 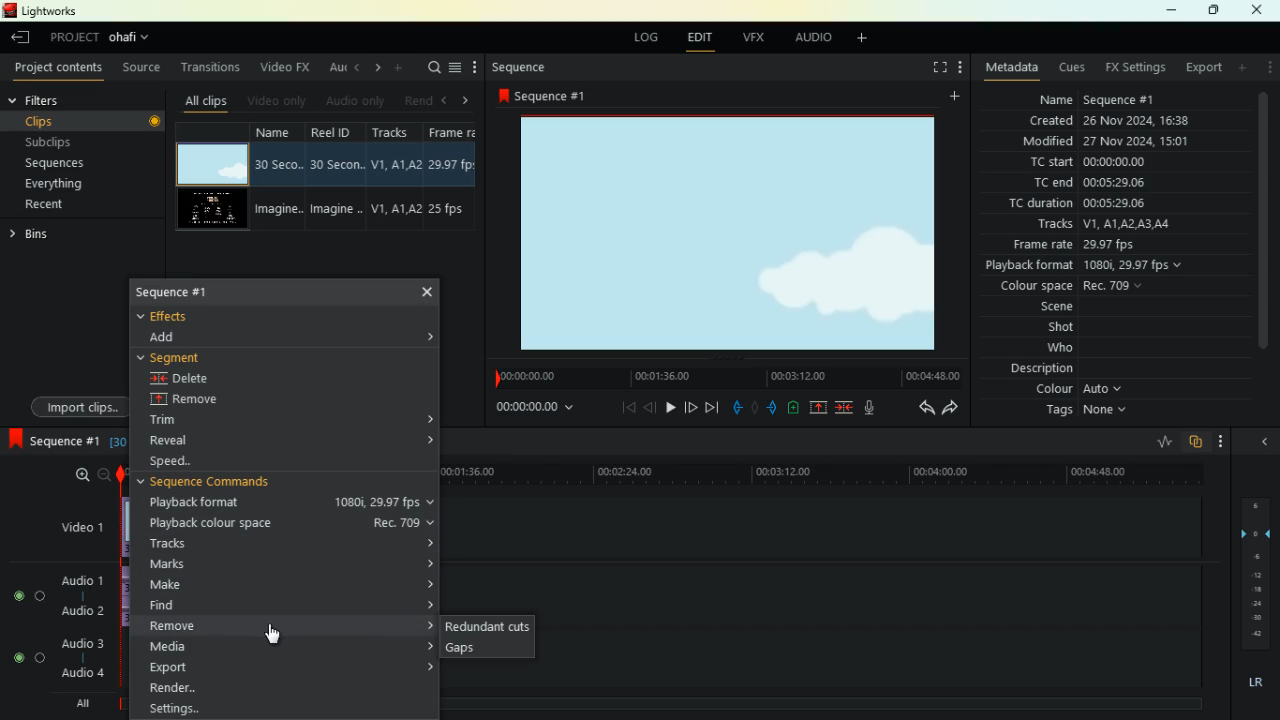 I want to click on more, so click(x=1266, y=69).